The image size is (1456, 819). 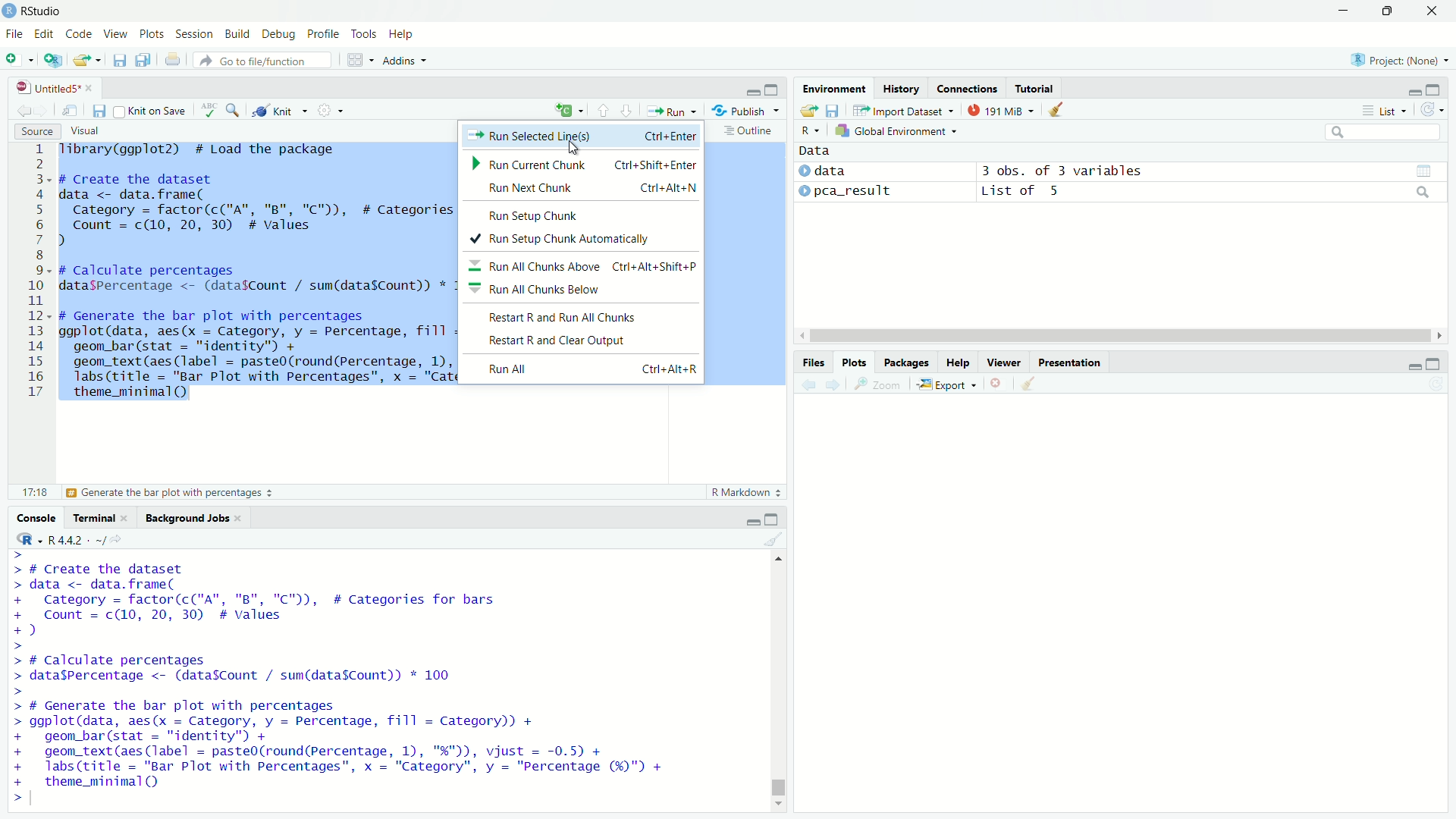 I want to click on data, so click(x=816, y=150).